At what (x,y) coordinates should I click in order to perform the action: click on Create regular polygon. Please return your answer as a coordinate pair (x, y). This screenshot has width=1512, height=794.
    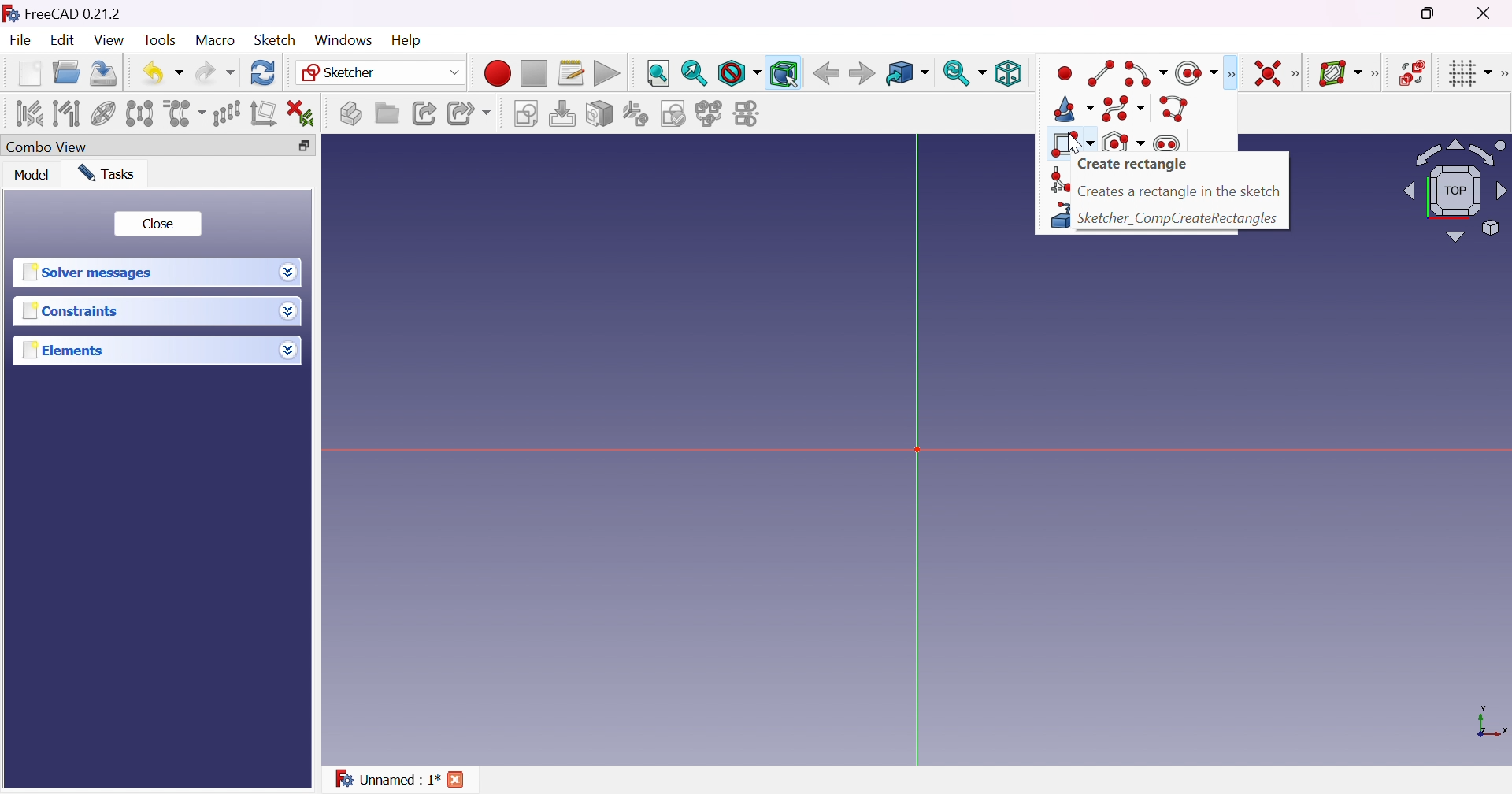
    Looking at the image, I should click on (1125, 143).